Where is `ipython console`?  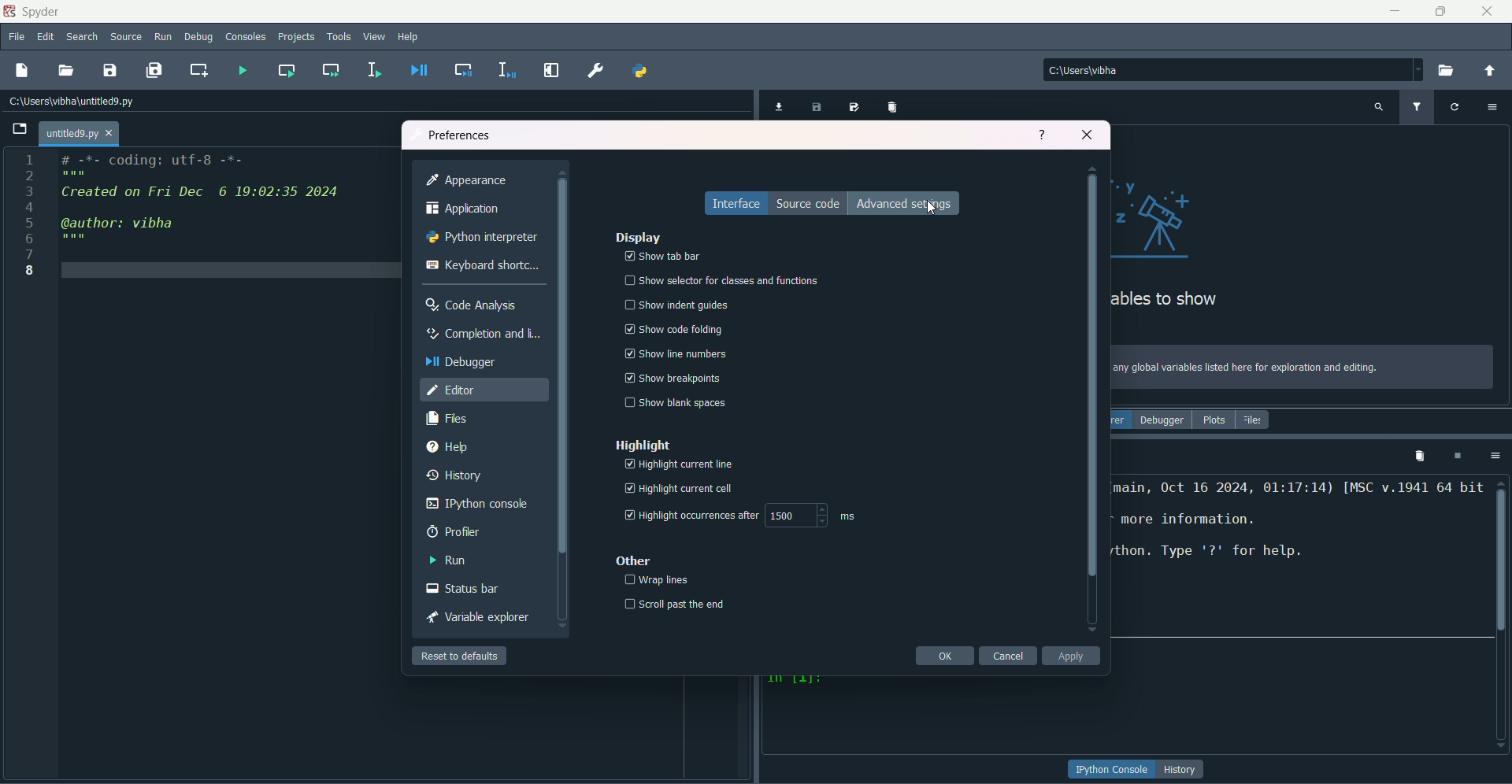 ipython console is located at coordinates (478, 504).